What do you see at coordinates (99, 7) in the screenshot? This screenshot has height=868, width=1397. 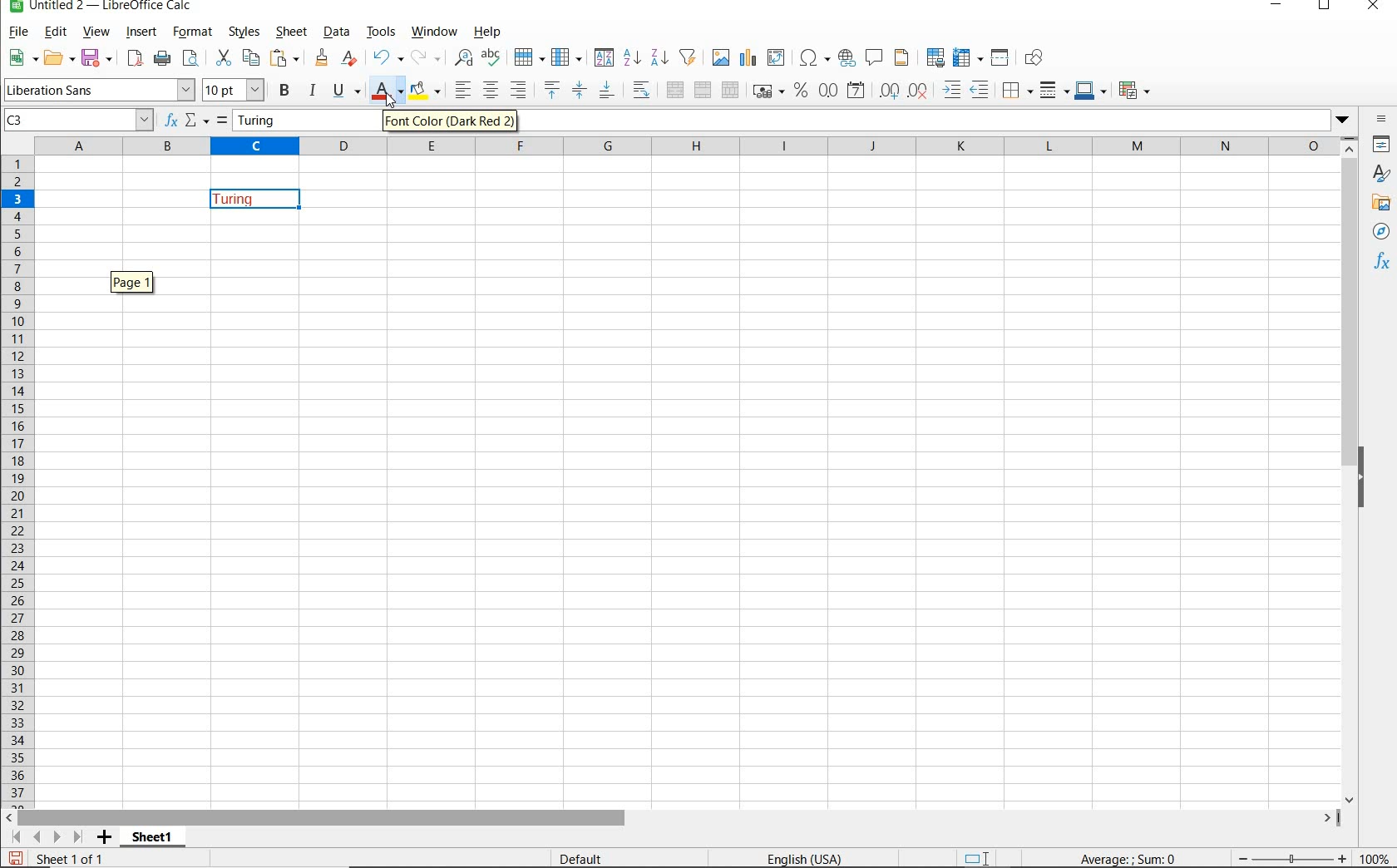 I see `FILE NAME` at bounding box center [99, 7].